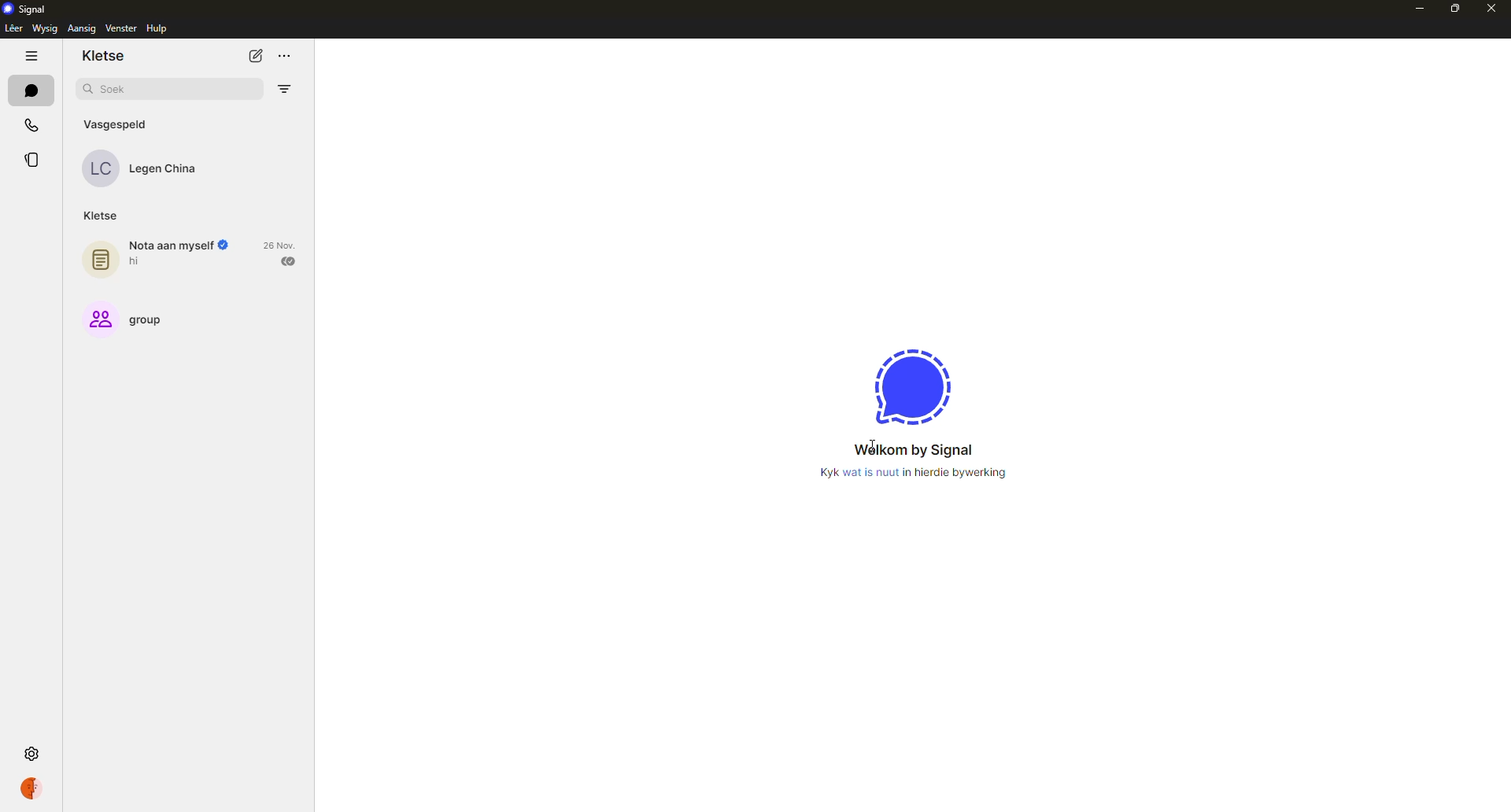  I want to click on signal, so click(914, 387).